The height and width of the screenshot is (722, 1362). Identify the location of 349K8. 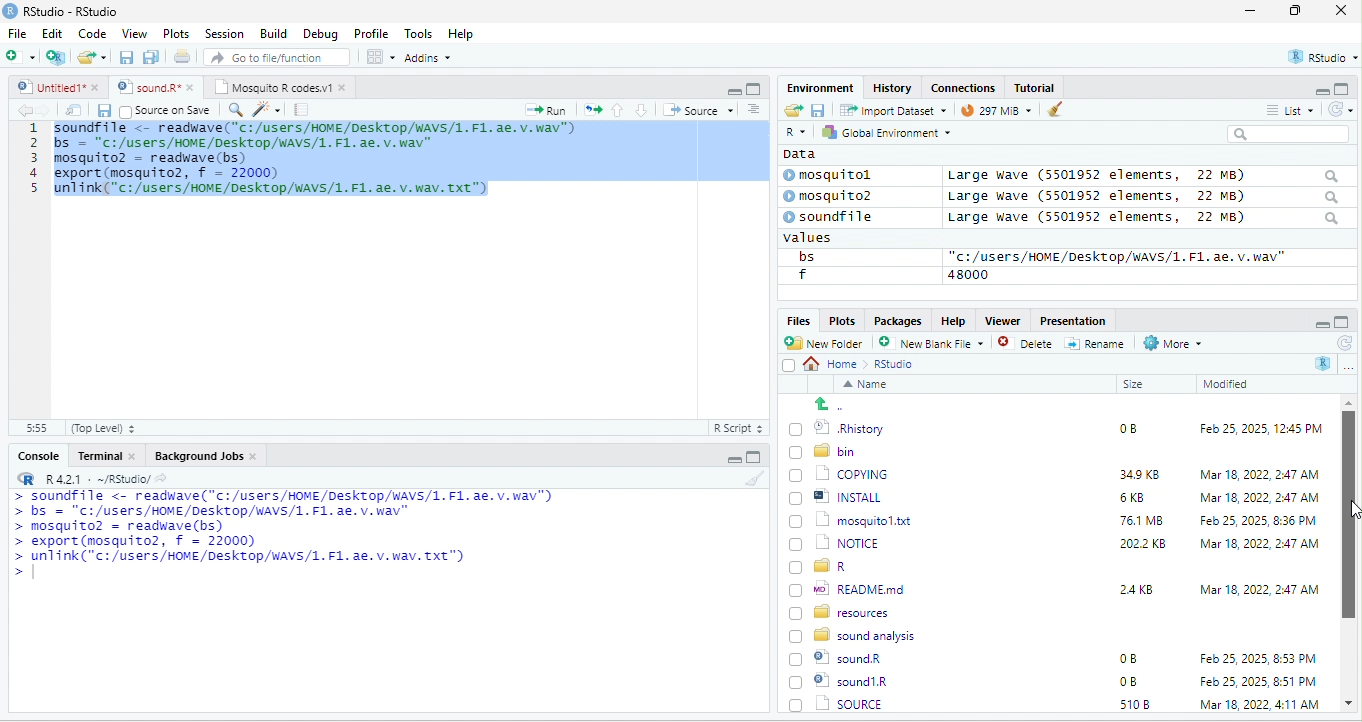
(1140, 475).